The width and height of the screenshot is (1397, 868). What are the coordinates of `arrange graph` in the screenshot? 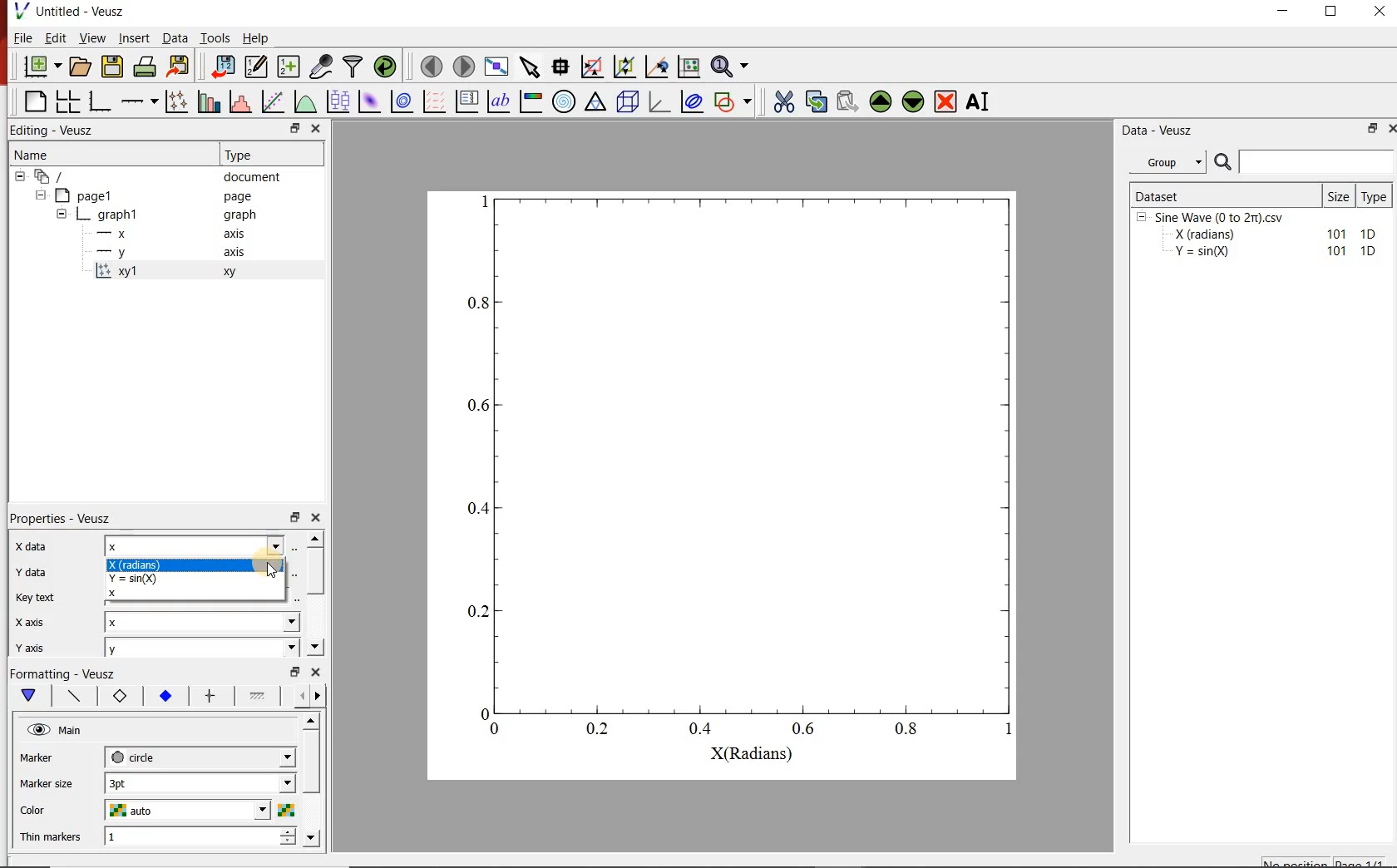 It's located at (68, 101).